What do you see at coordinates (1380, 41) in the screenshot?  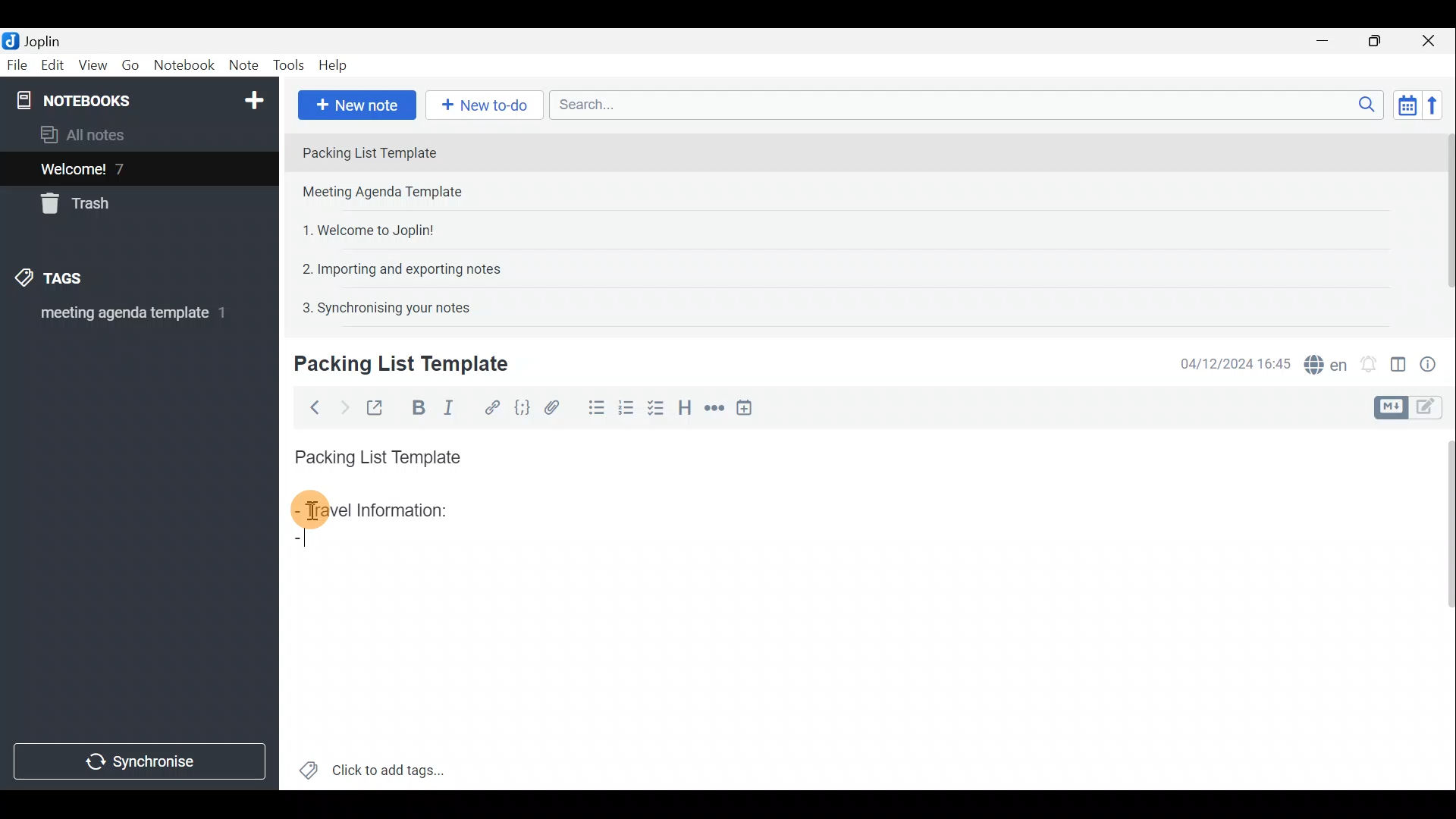 I see `Maximise` at bounding box center [1380, 41].